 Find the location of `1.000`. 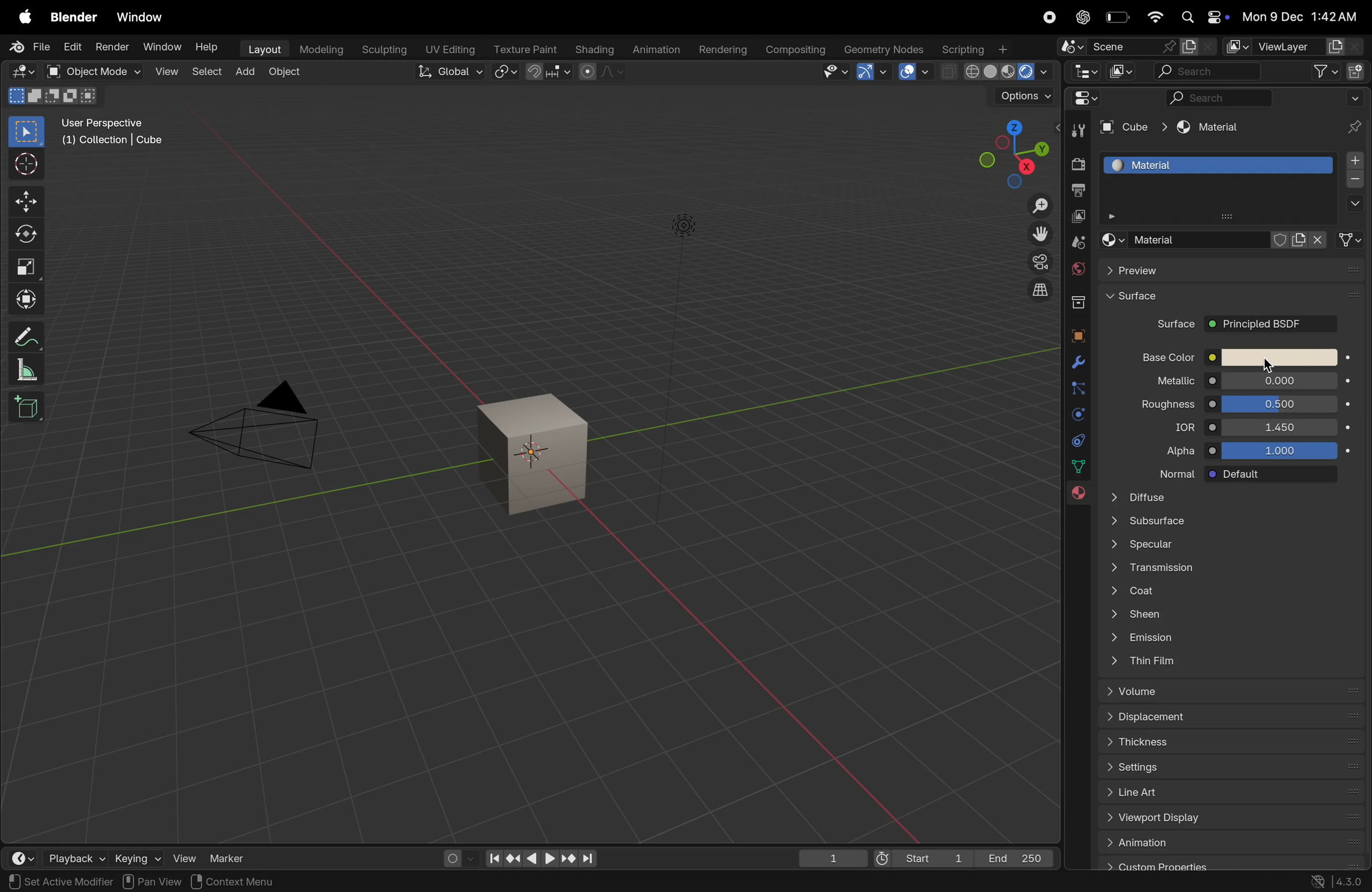

1.000 is located at coordinates (1284, 451).